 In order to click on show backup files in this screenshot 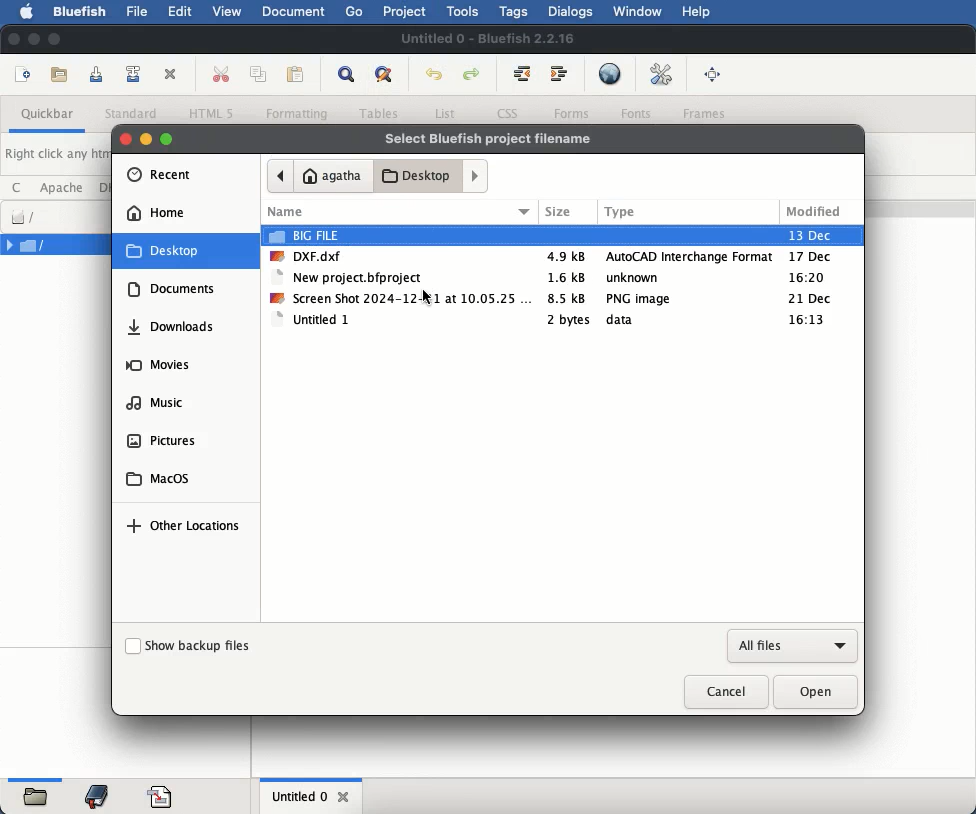, I will do `click(188, 647)`.